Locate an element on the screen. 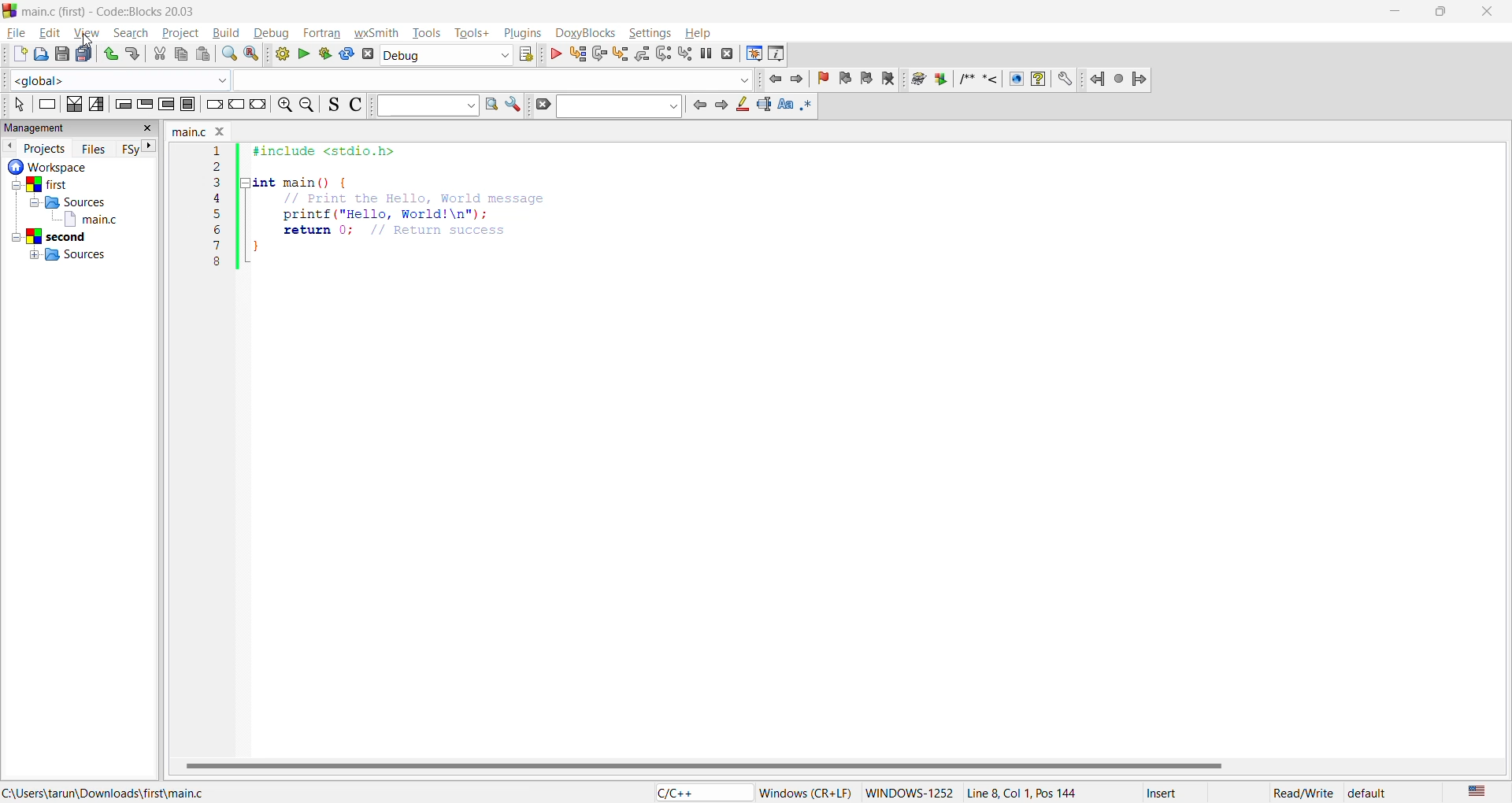 This screenshot has height=803, width=1512. second is located at coordinates (52, 235).